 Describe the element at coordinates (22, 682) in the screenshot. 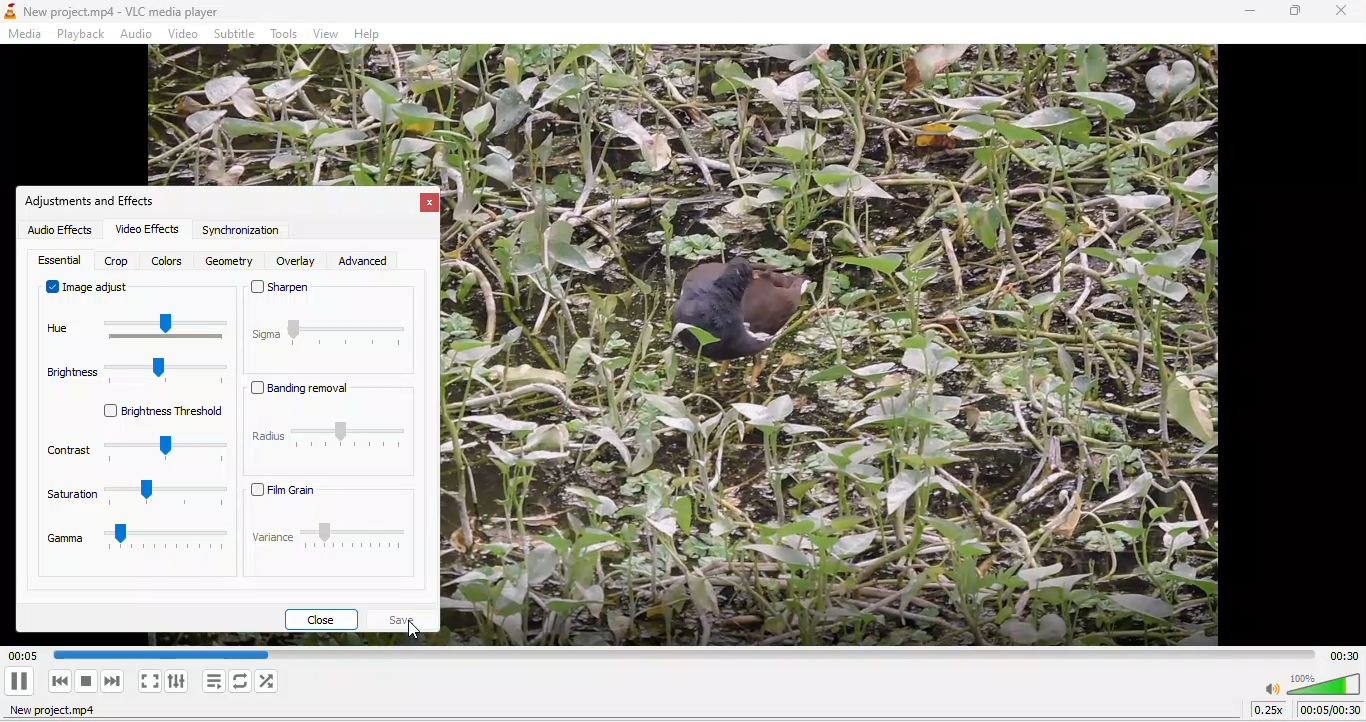

I see `` at that location.